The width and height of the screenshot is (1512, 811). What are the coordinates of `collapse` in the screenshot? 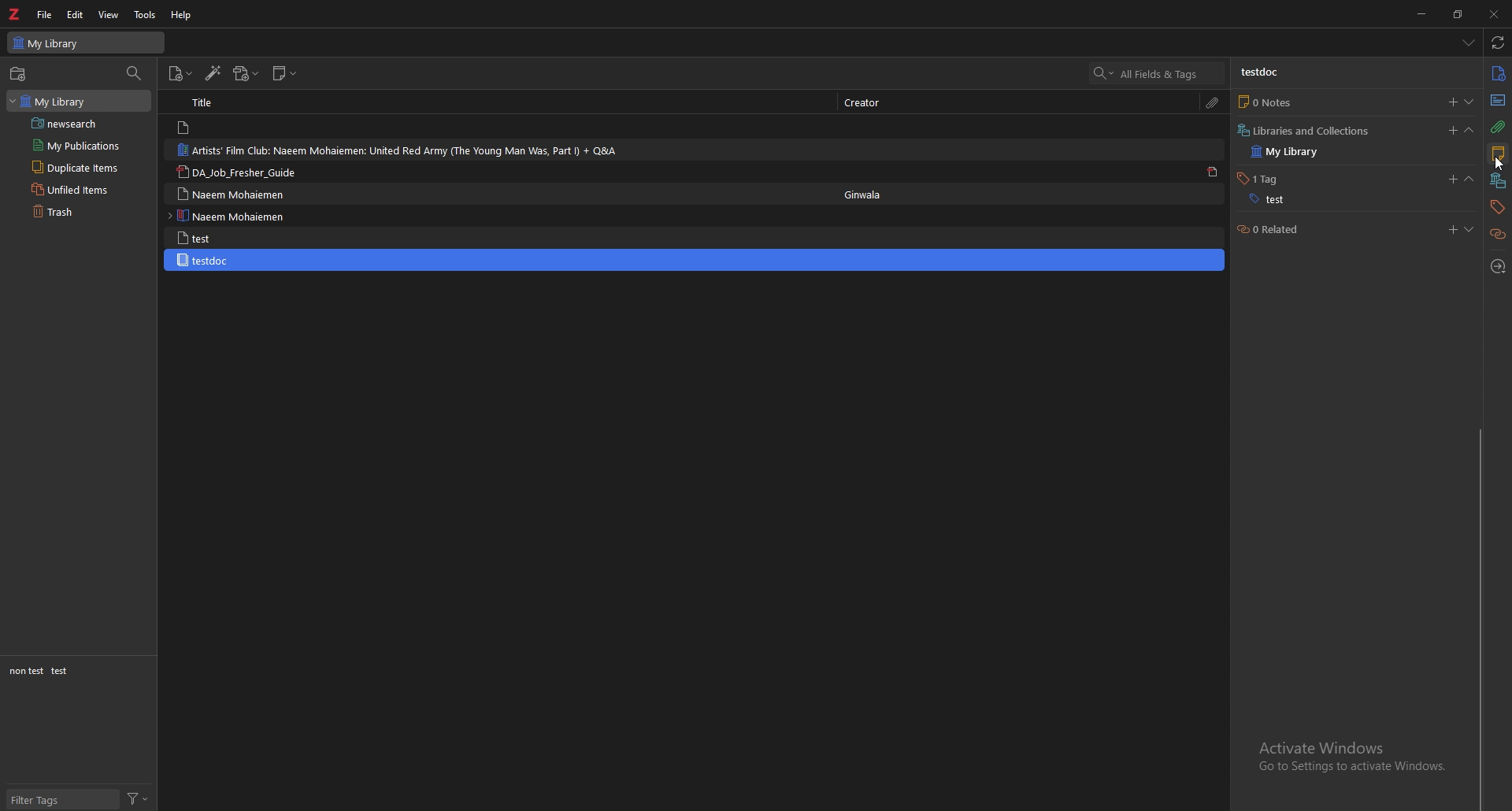 It's located at (1469, 180).